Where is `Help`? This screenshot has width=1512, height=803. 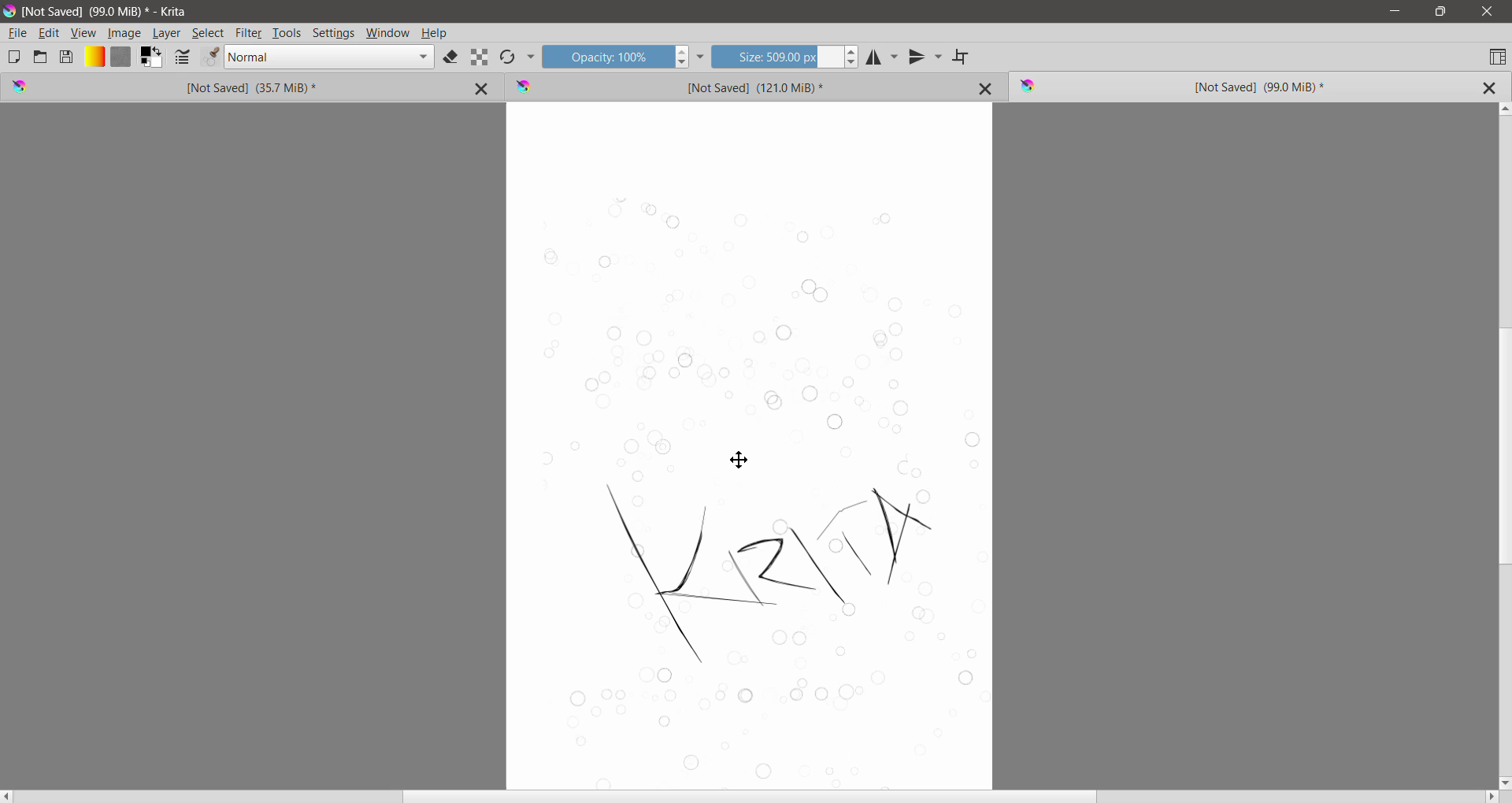
Help is located at coordinates (434, 34).